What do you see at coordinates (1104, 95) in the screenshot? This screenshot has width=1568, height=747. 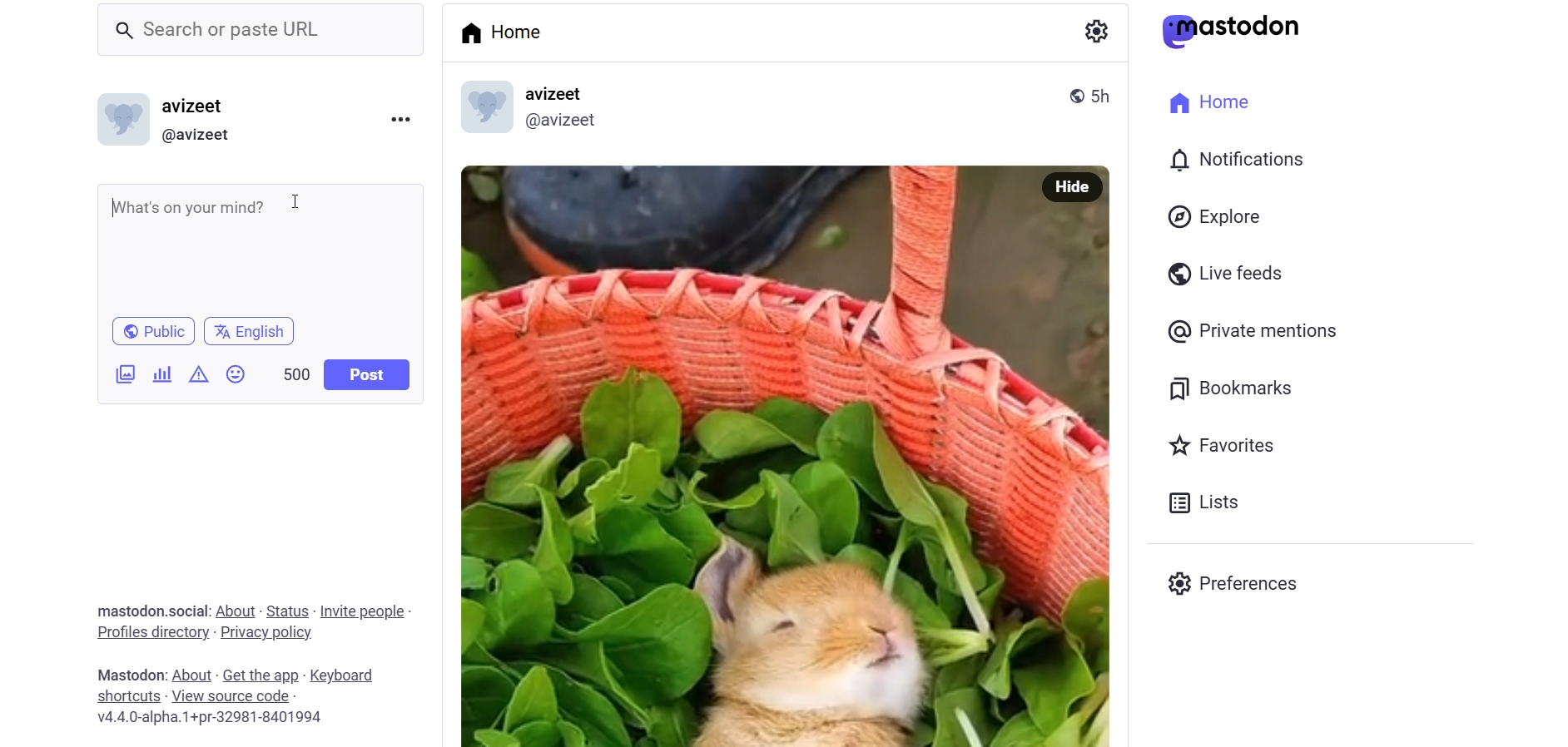 I see `last modified` at bounding box center [1104, 95].